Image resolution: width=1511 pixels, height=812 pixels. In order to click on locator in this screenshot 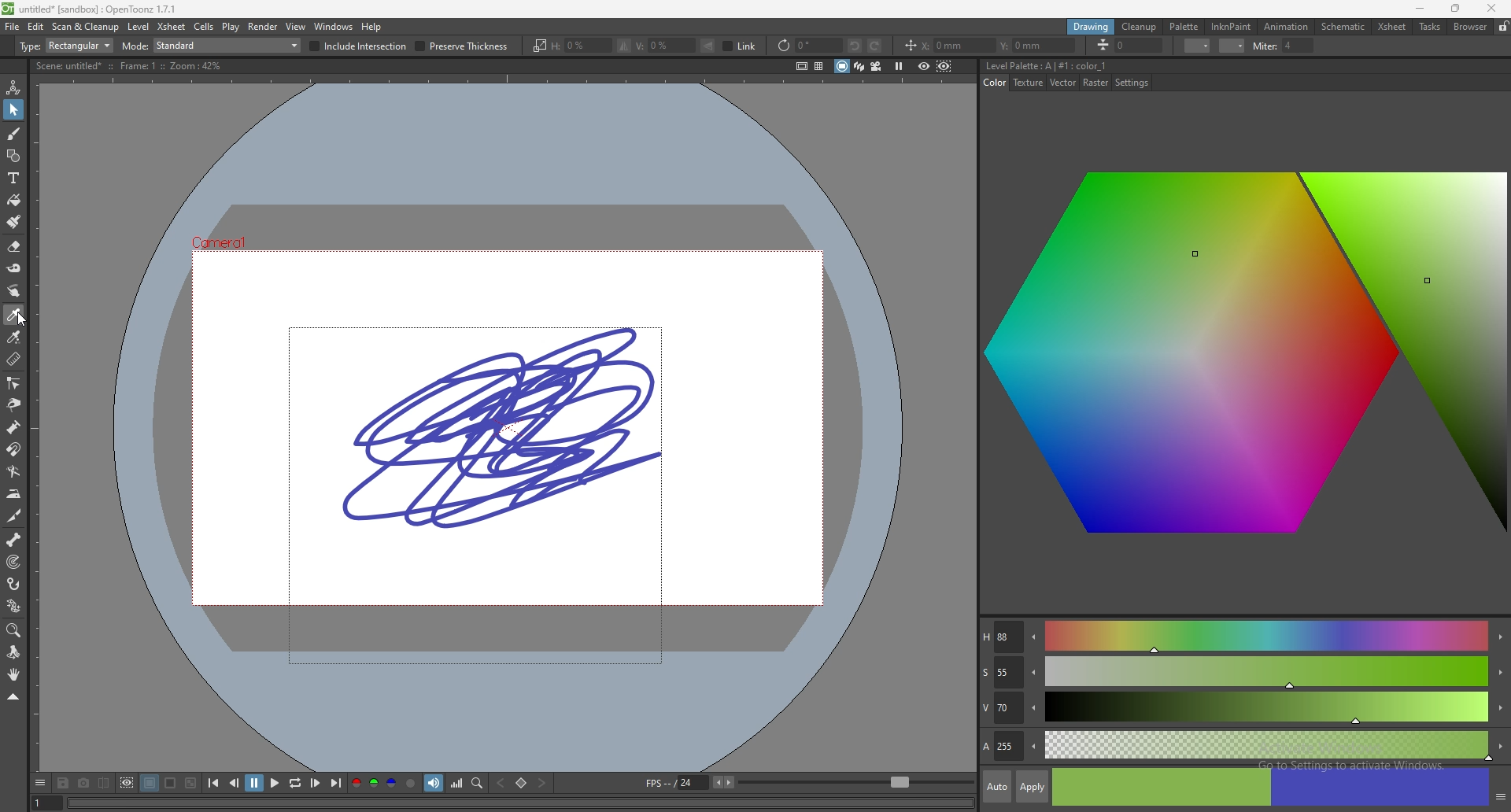, I will do `click(478, 783)`.